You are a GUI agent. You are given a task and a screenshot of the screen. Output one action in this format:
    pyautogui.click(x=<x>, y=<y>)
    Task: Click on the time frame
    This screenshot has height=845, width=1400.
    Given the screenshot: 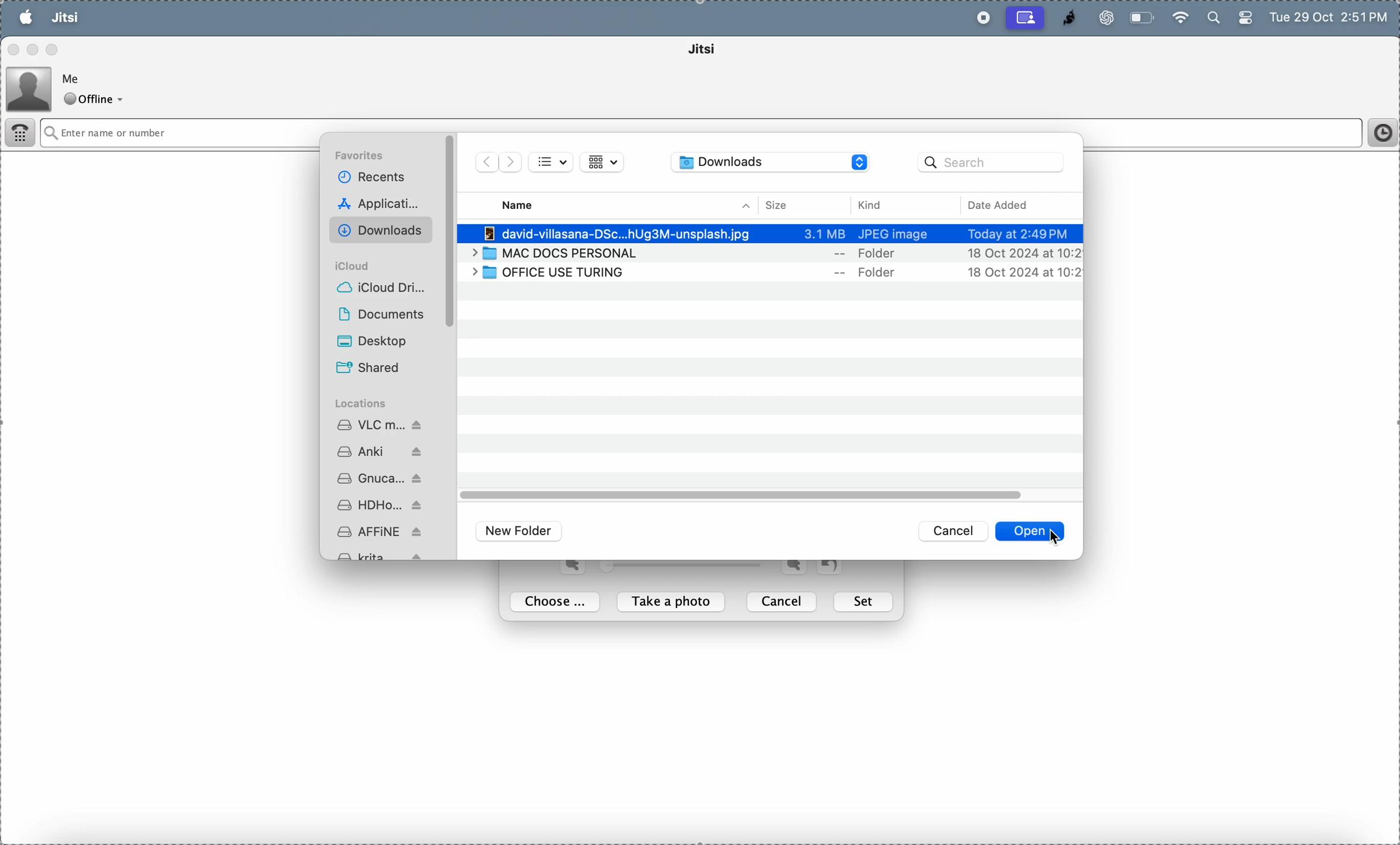 What is the action you would take?
    pyautogui.click(x=1378, y=133)
    